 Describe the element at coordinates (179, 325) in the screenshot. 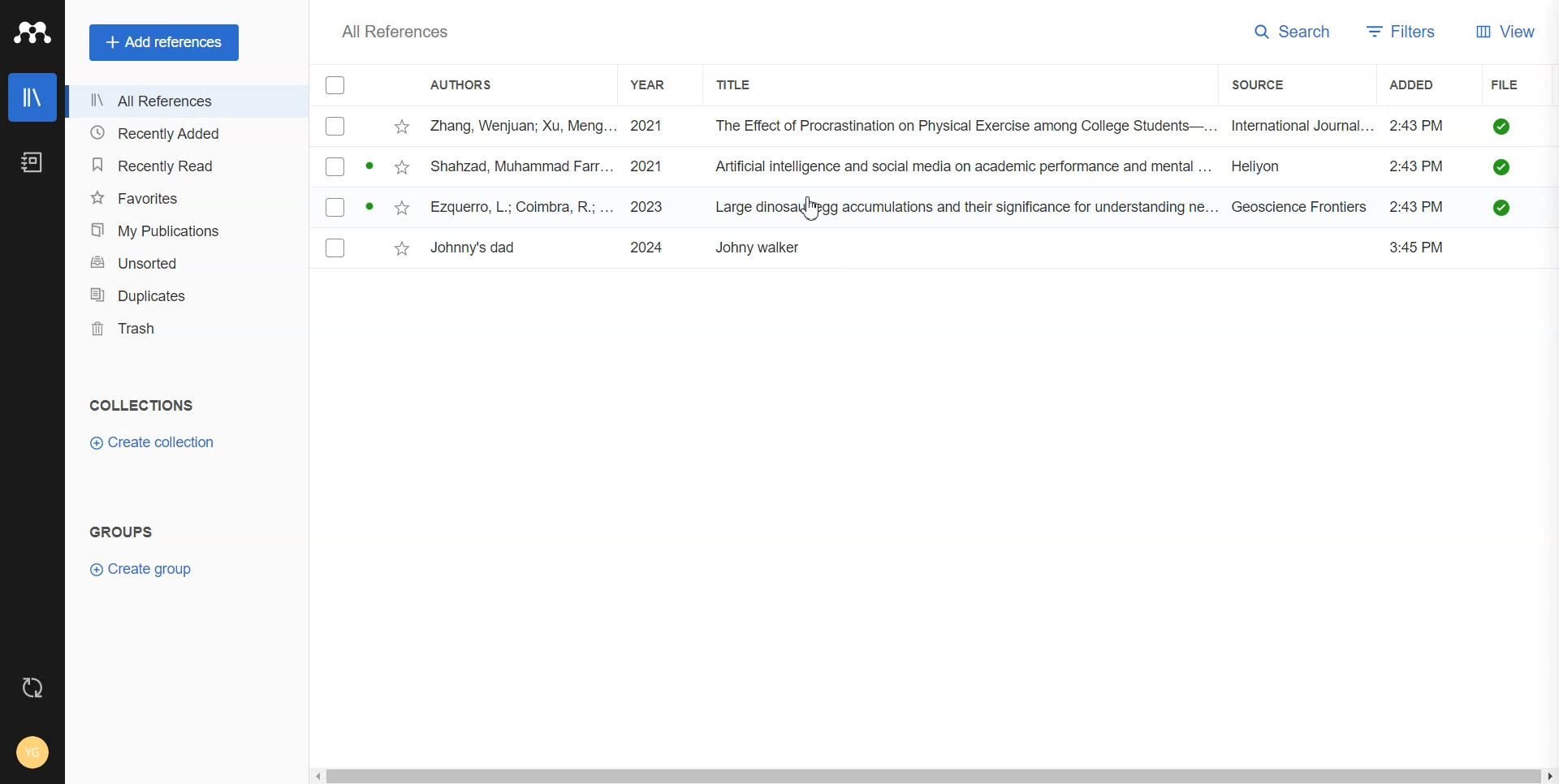

I see `Trash` at that location.